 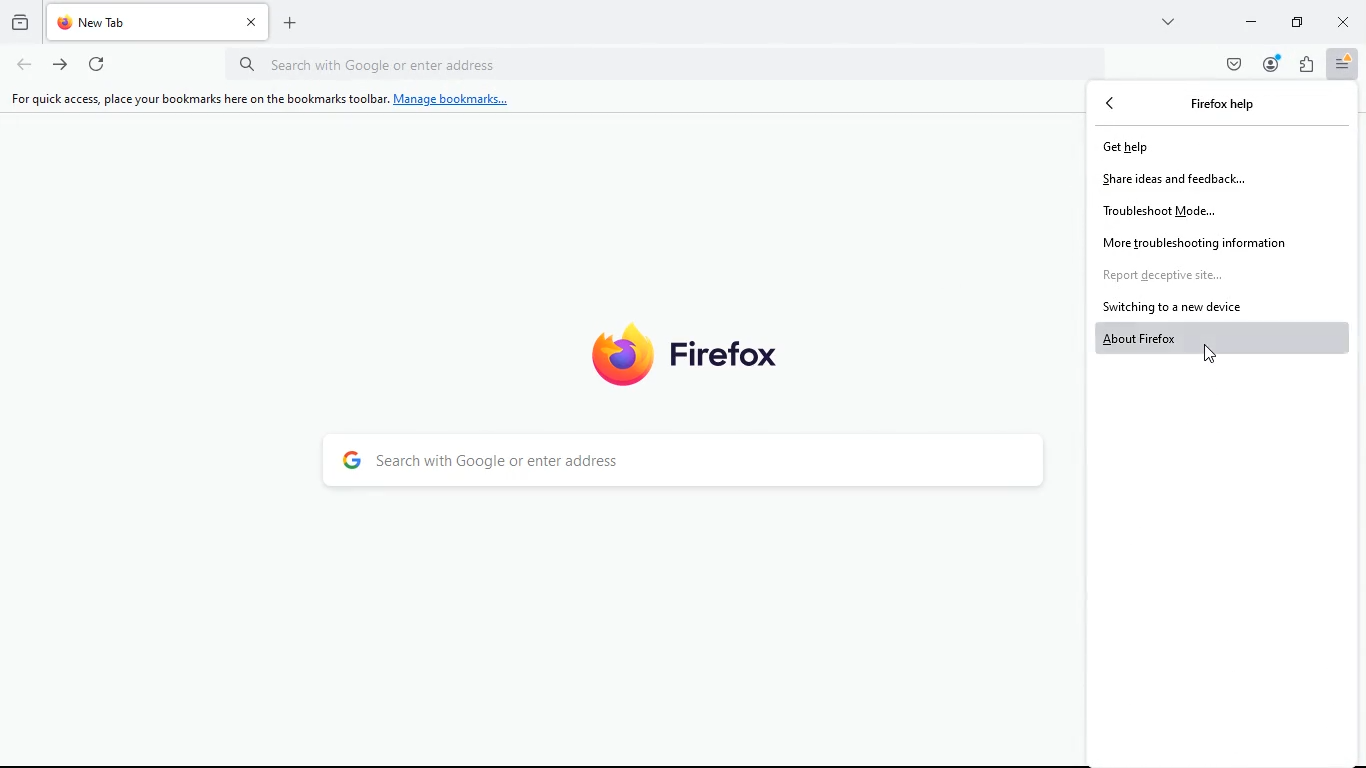 What do you see at coordinates (1293, 22) in the screenshot?
I see `maximize` at bounding box center [1293, 22].